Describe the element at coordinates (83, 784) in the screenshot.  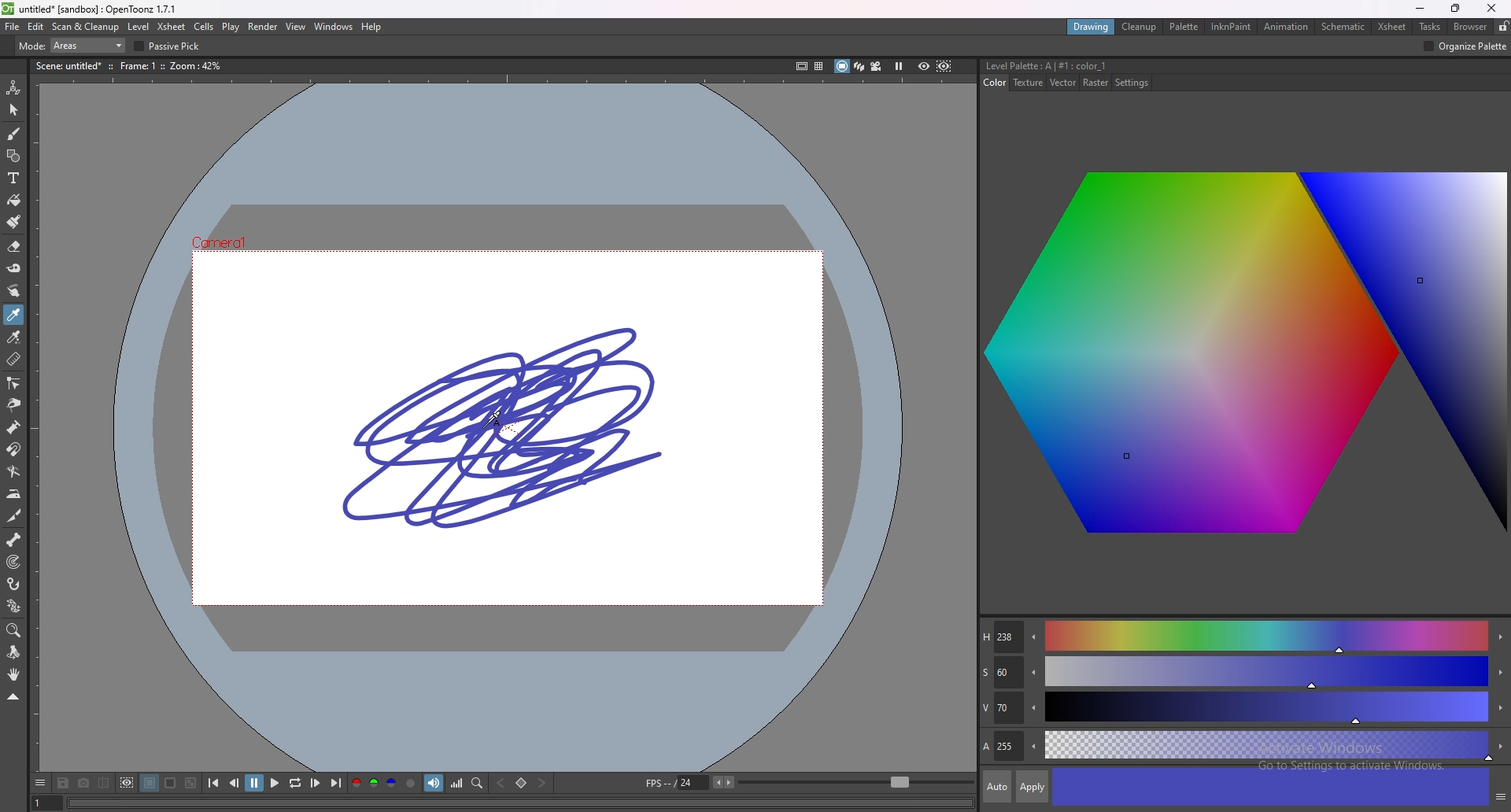
I see `snapshot` at that location.